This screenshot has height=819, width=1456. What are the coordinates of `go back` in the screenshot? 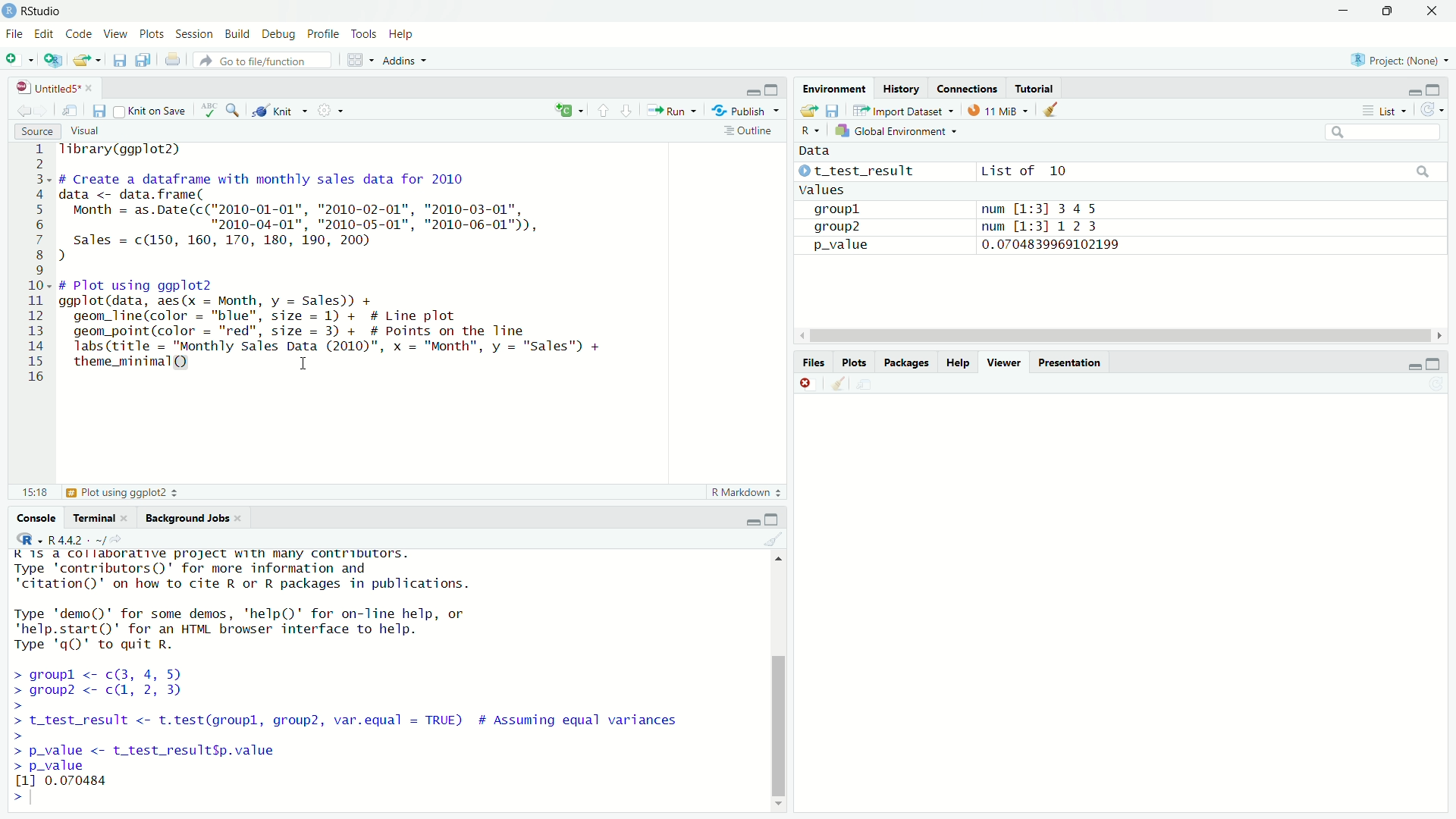 It's located at (30, 109).